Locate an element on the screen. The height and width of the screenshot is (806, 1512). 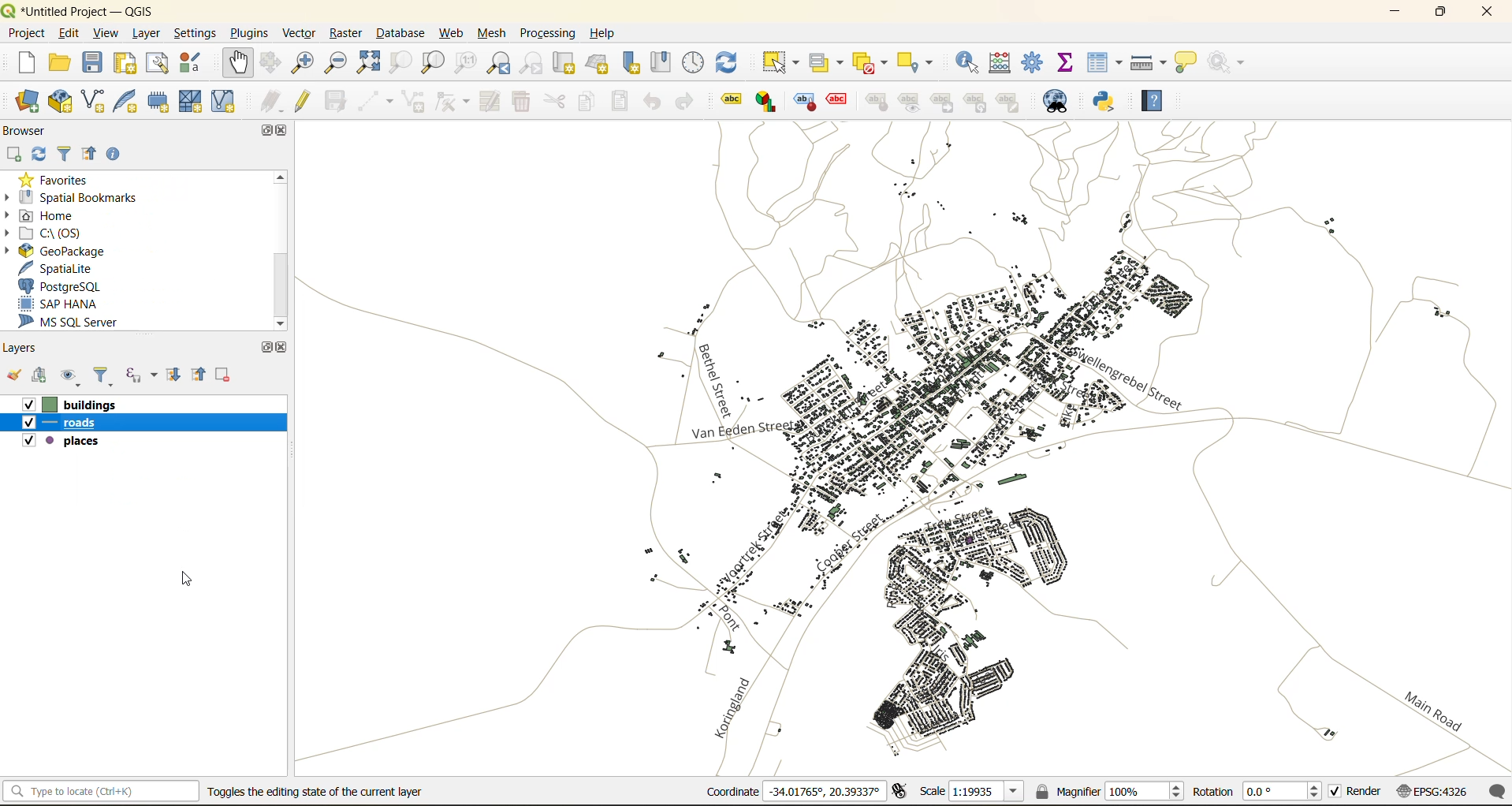
select is located at coordinates (780, 63).